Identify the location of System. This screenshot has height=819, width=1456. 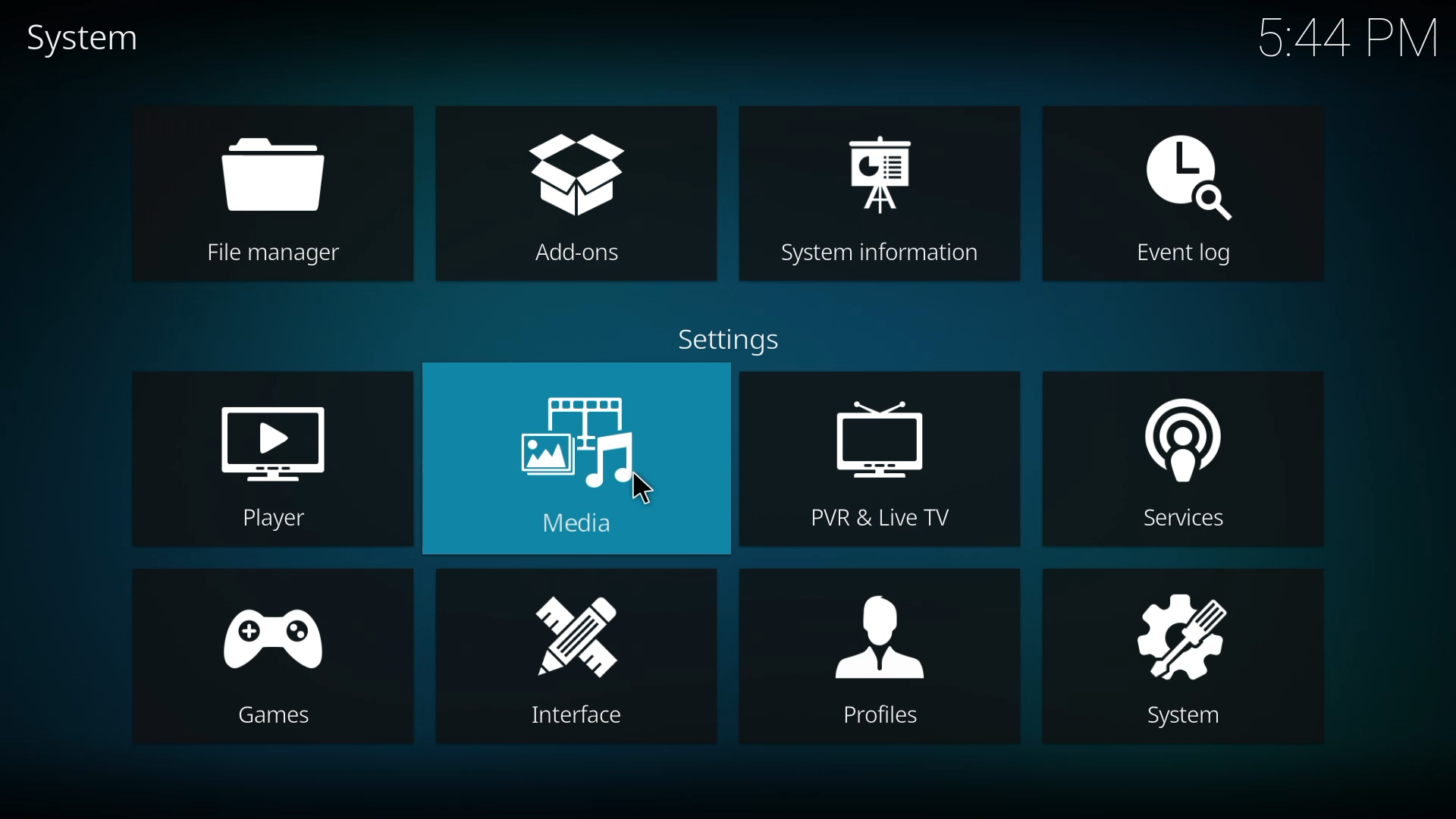
(1193, 720).